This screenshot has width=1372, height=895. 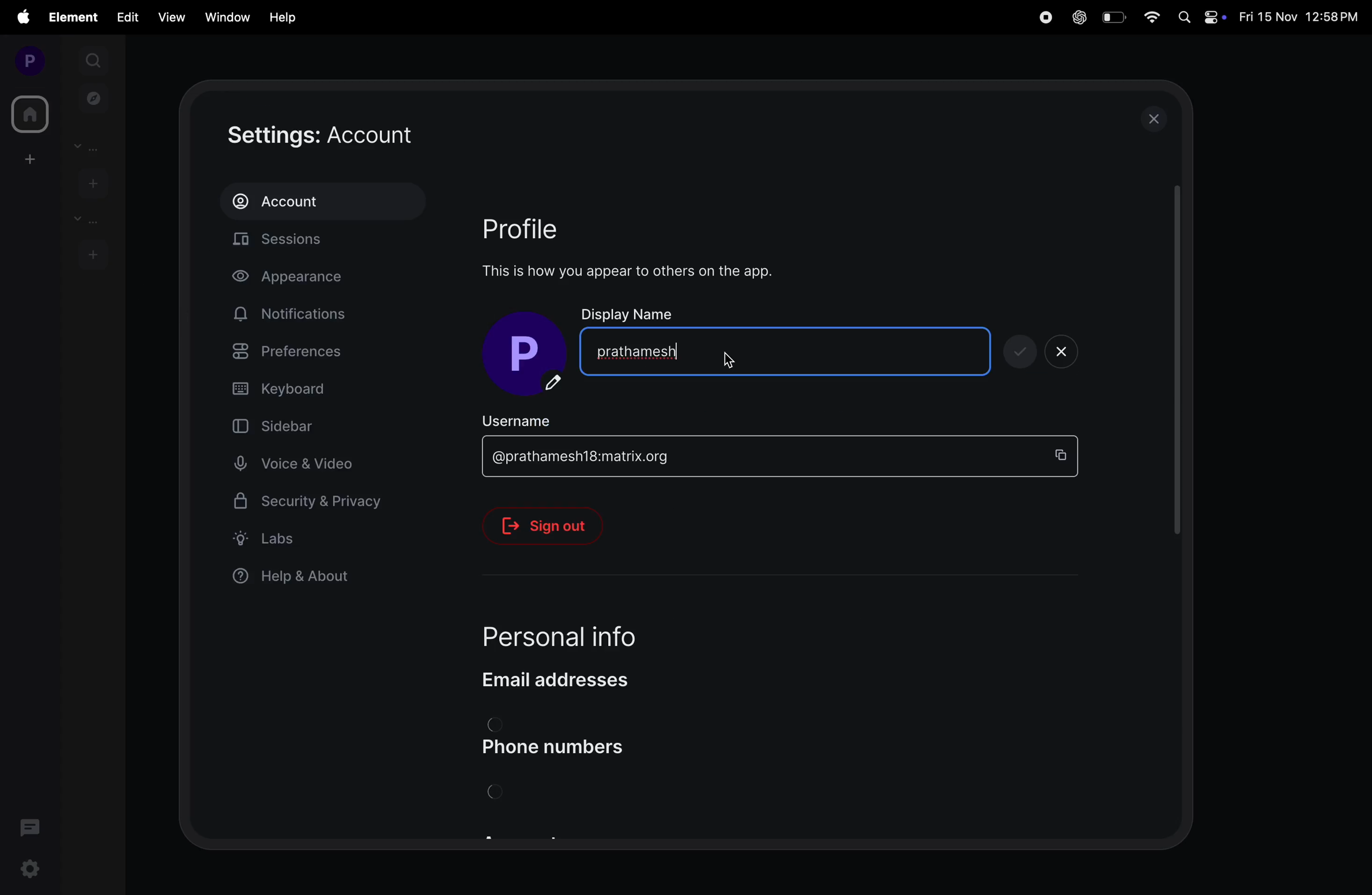 I want to click on add, so click(x=27, y=159).